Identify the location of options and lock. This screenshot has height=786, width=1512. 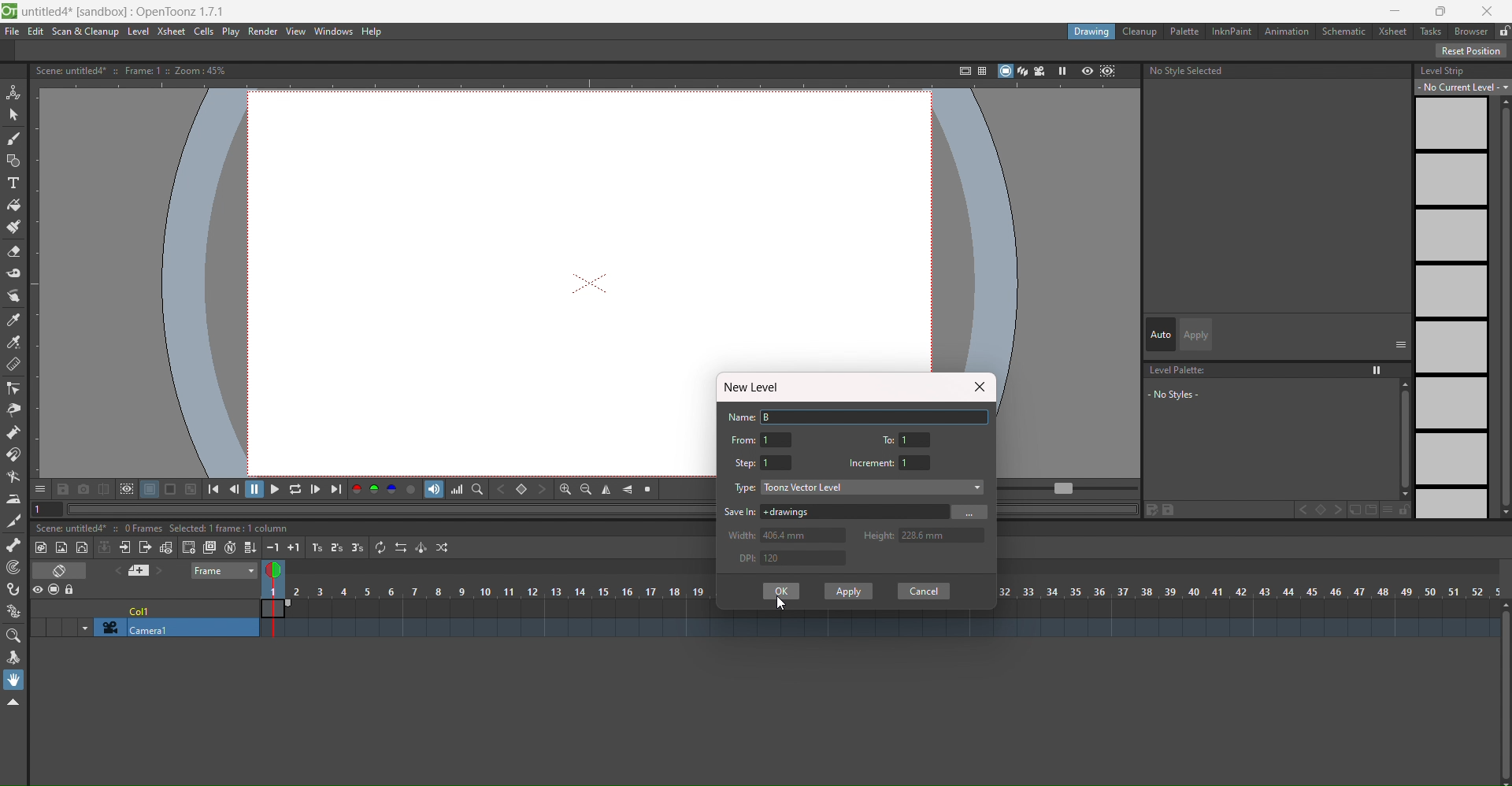
(1396, 510).